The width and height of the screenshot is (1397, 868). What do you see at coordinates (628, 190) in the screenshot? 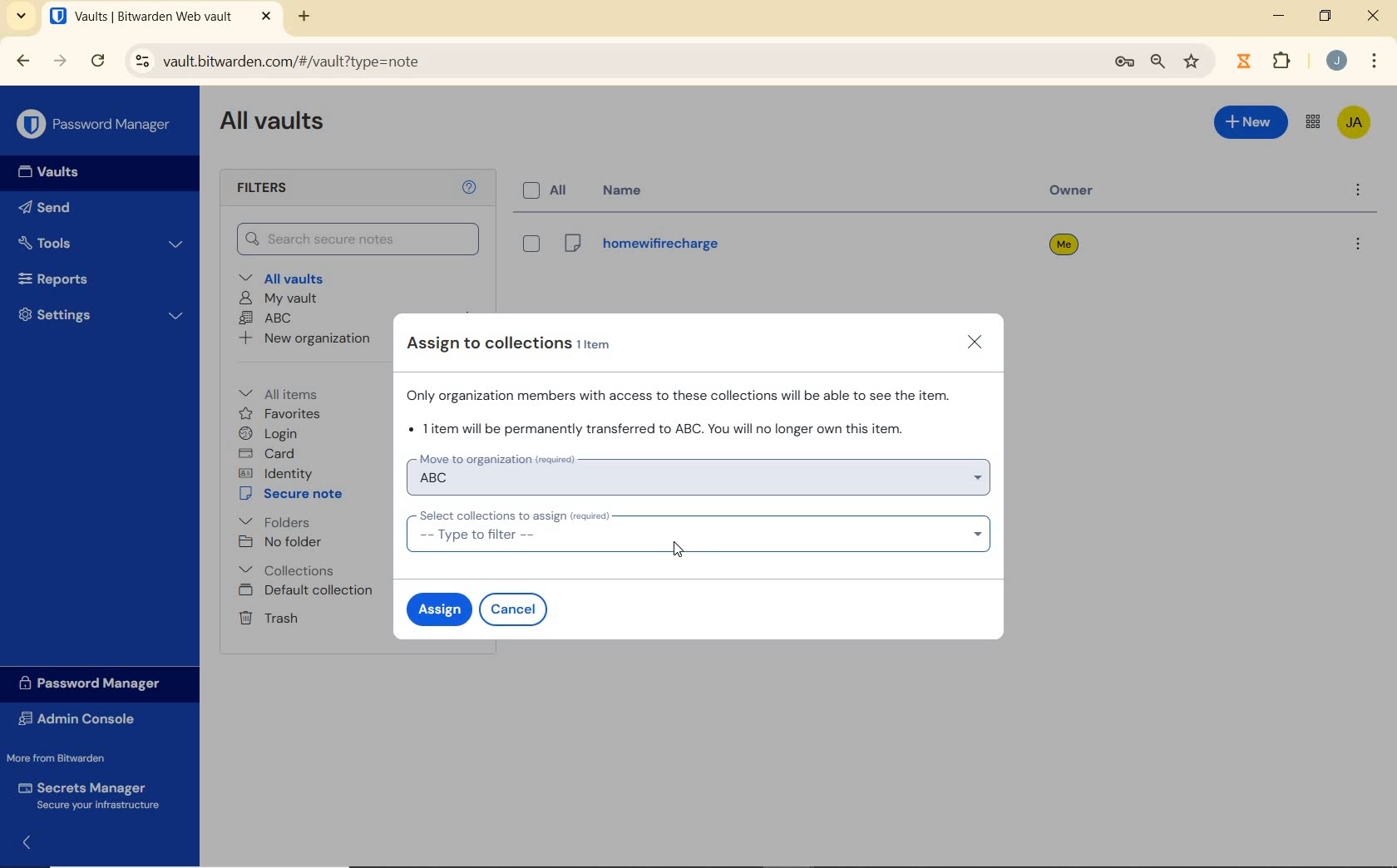
I see `name` at bounding box center [628, 190].